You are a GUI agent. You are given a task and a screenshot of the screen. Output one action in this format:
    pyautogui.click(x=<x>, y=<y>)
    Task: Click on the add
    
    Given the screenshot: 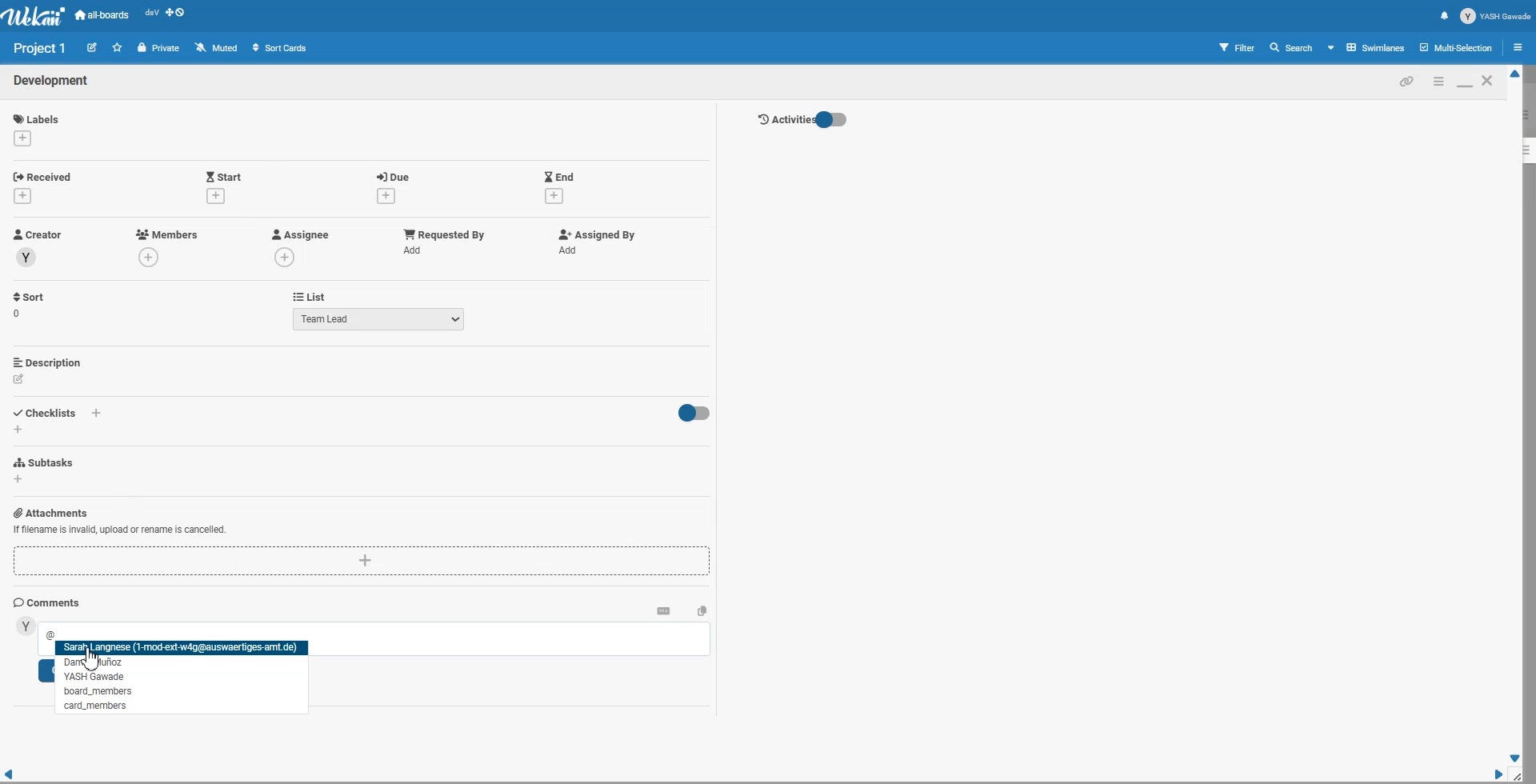 What is the action you would take?
    pyautogui.click(x=554, y=197)
    